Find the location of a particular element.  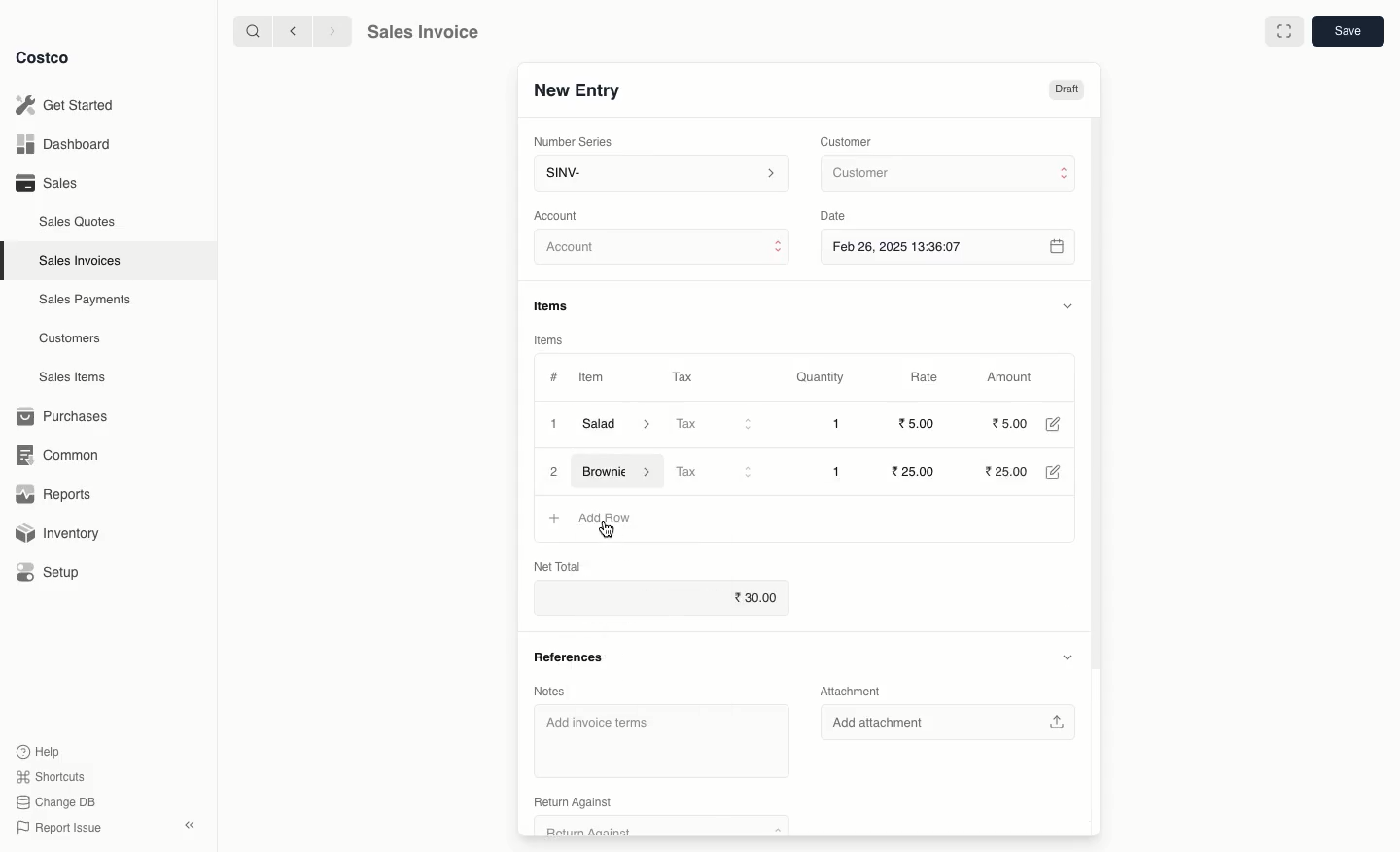

‘Account is located at coordinates (560, 215).